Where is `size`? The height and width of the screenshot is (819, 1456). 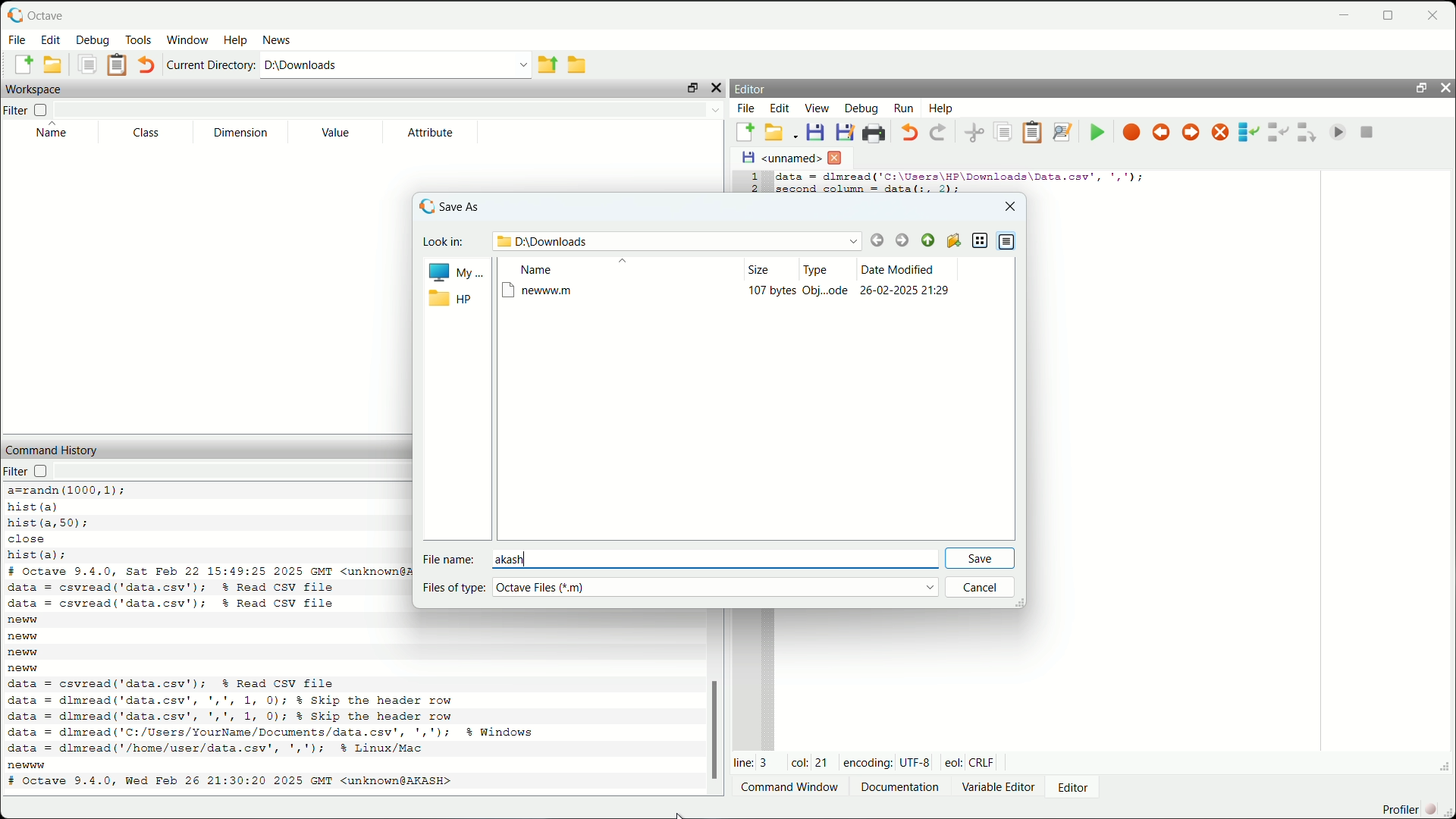 size is located at coordinates (760, 269).